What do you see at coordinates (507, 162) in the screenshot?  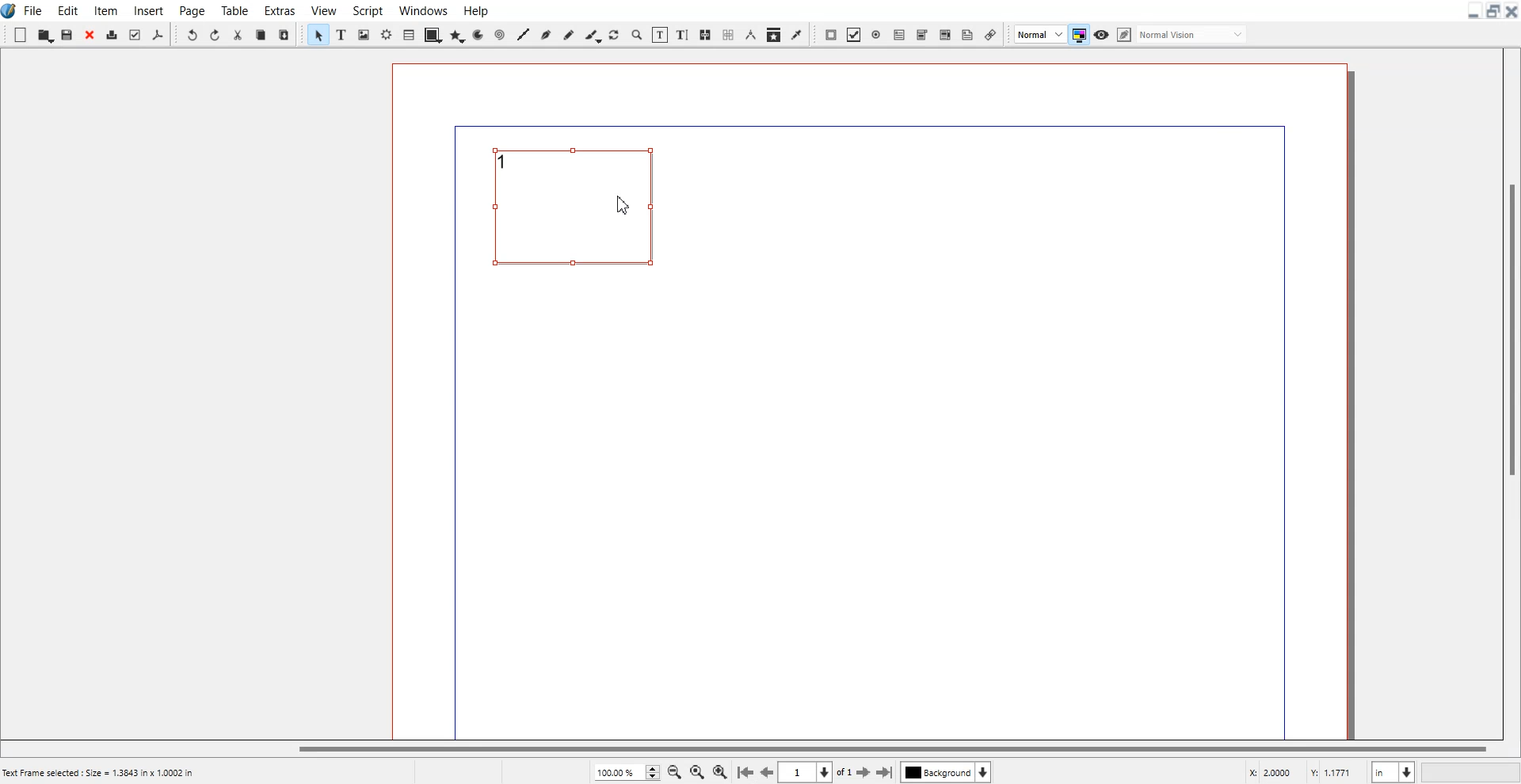 I see `Text` at bounding box center [507, 162].